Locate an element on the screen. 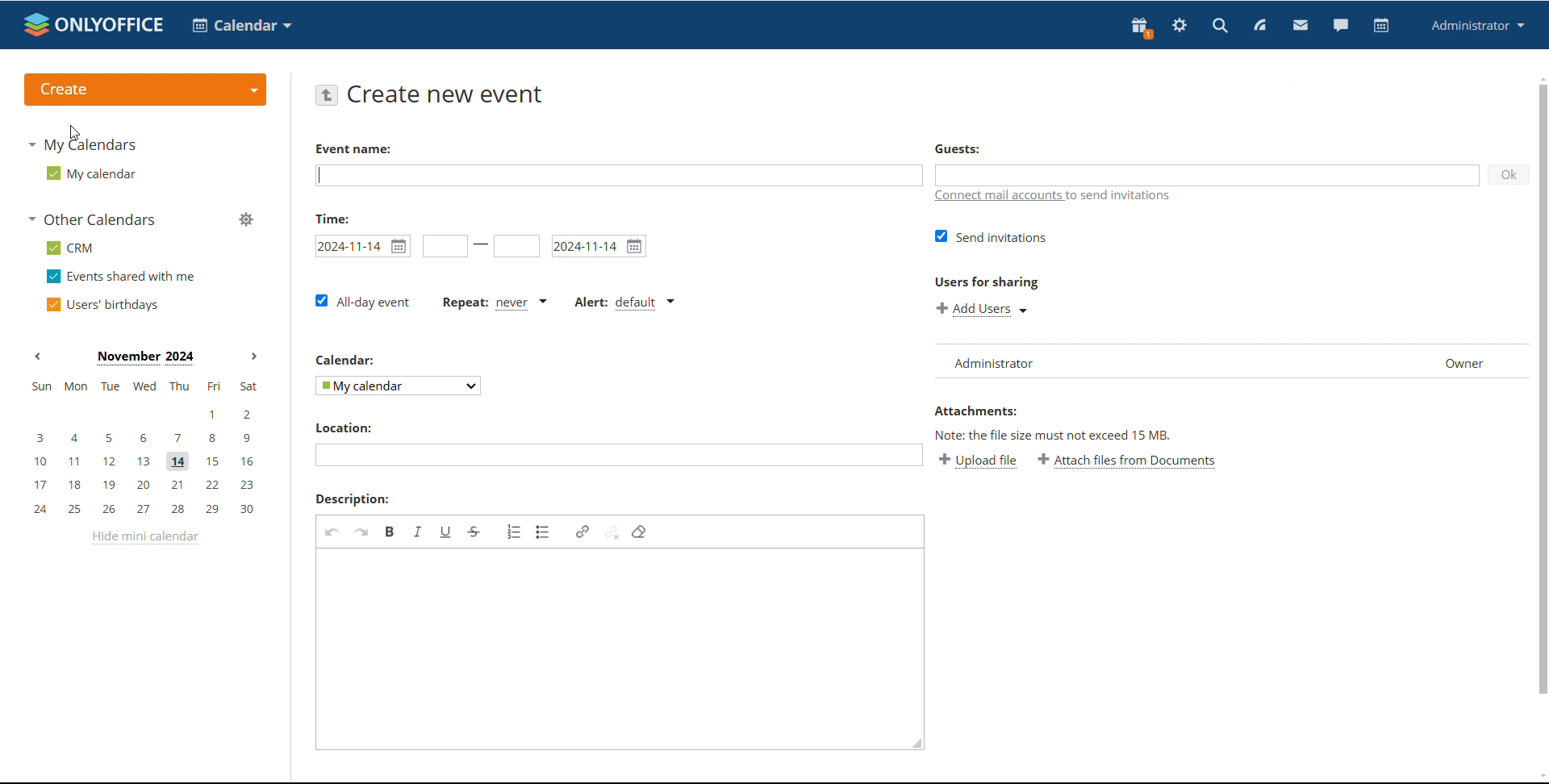 This screenshot has width=1549, height=784. next month is located at coordinates (254, 357).